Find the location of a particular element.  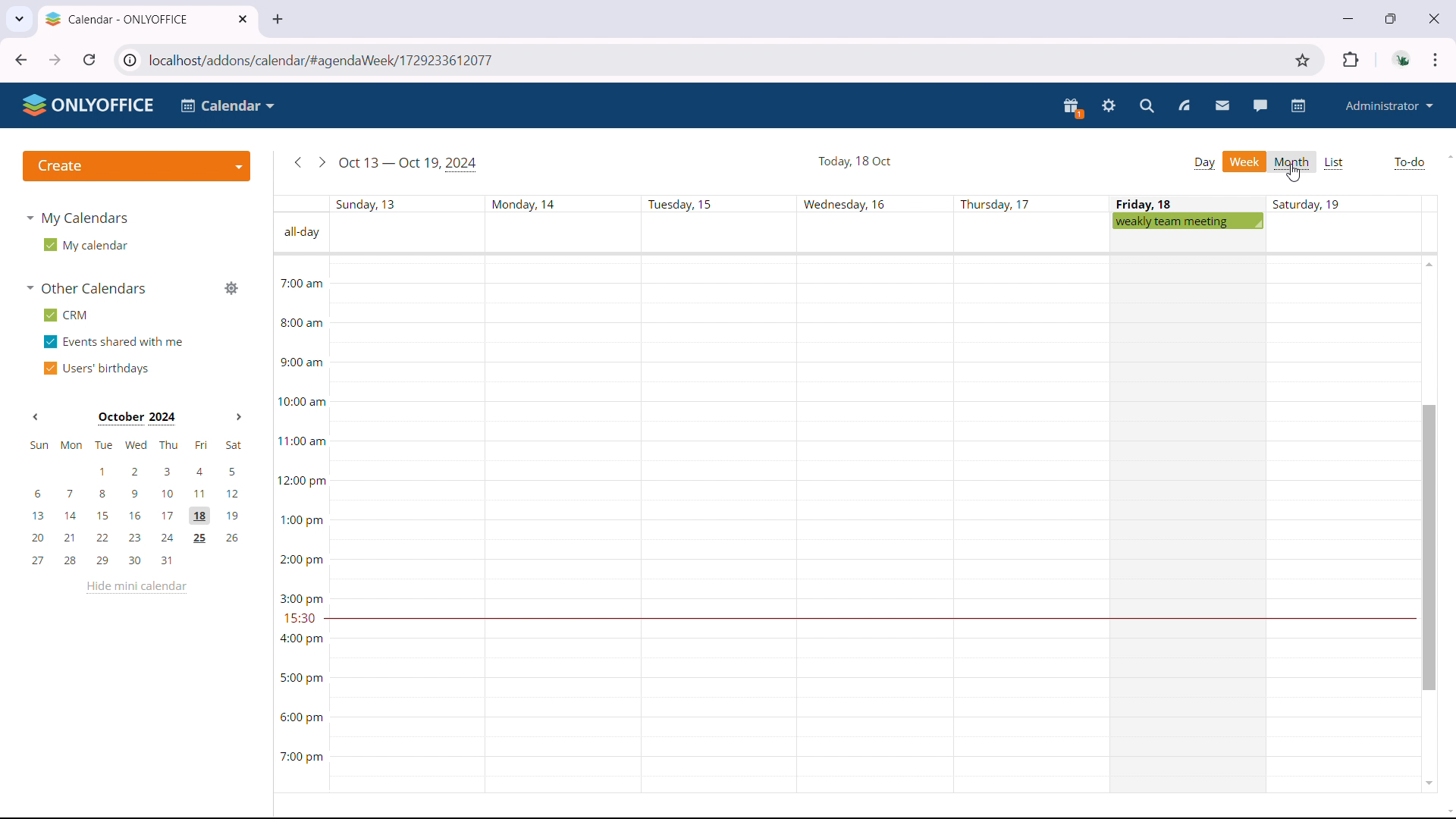

new tab is located at coordinates (276, 20).